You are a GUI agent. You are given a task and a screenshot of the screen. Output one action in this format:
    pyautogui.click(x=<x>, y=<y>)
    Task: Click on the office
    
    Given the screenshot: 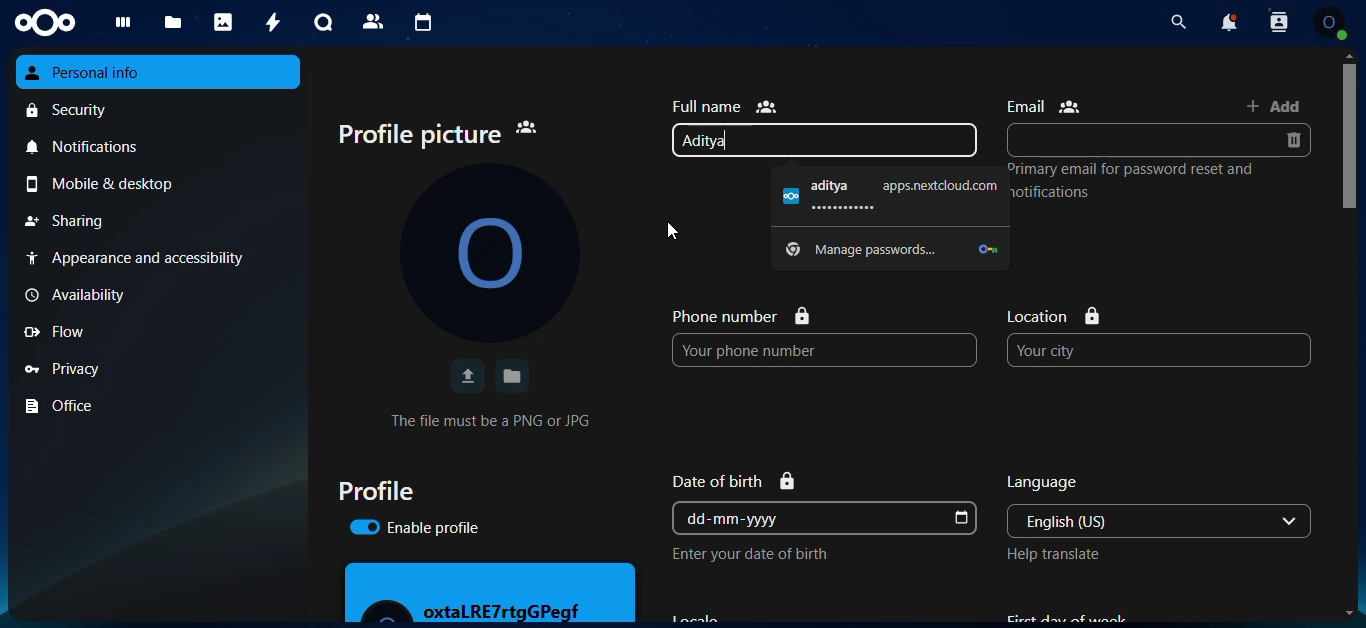 What is the action you would take?
    pyautogui.click(x=160, y=406)
    